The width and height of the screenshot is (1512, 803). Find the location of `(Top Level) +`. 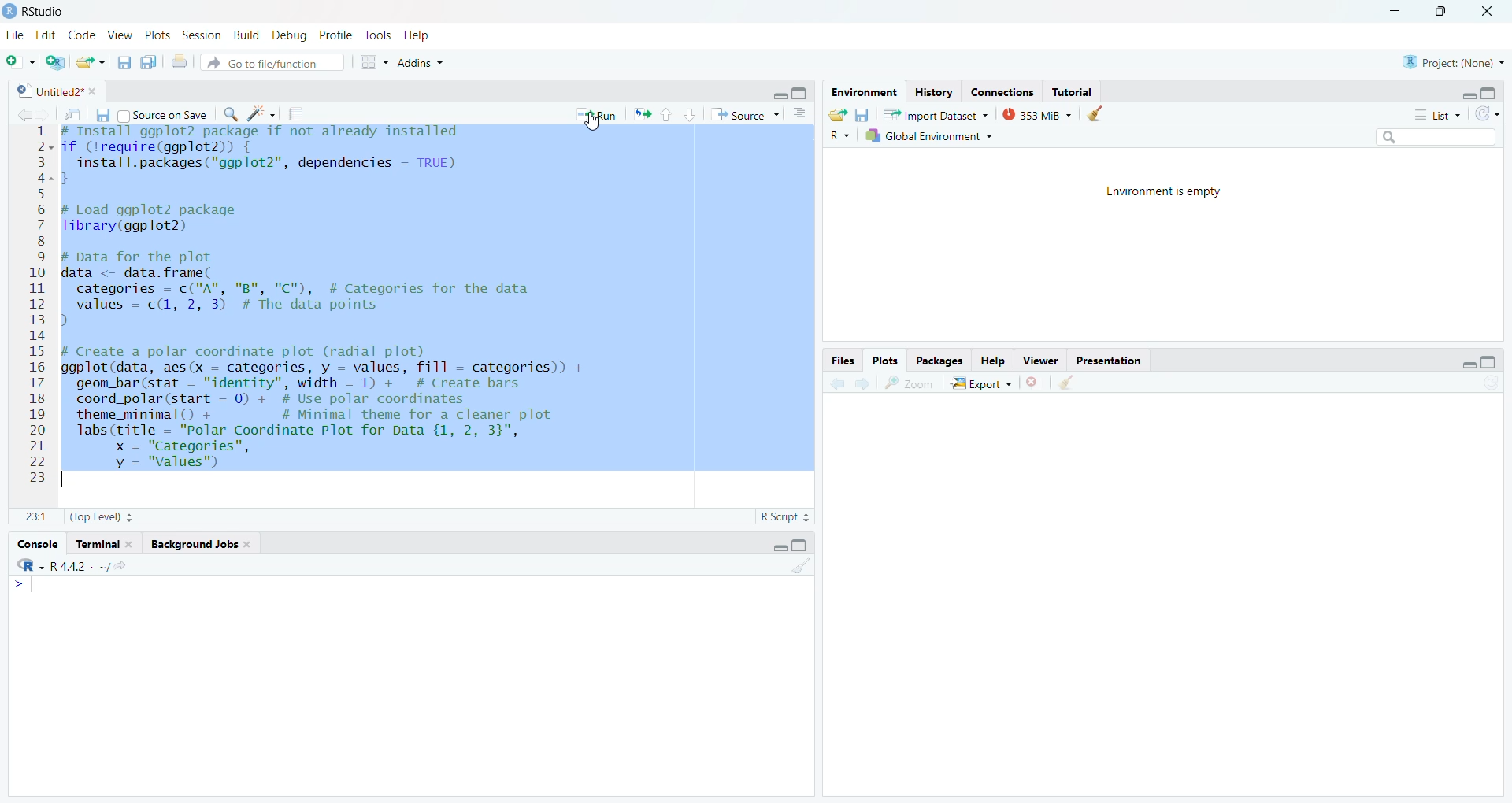

(Top Level) + is located at coordinates (103, 518).